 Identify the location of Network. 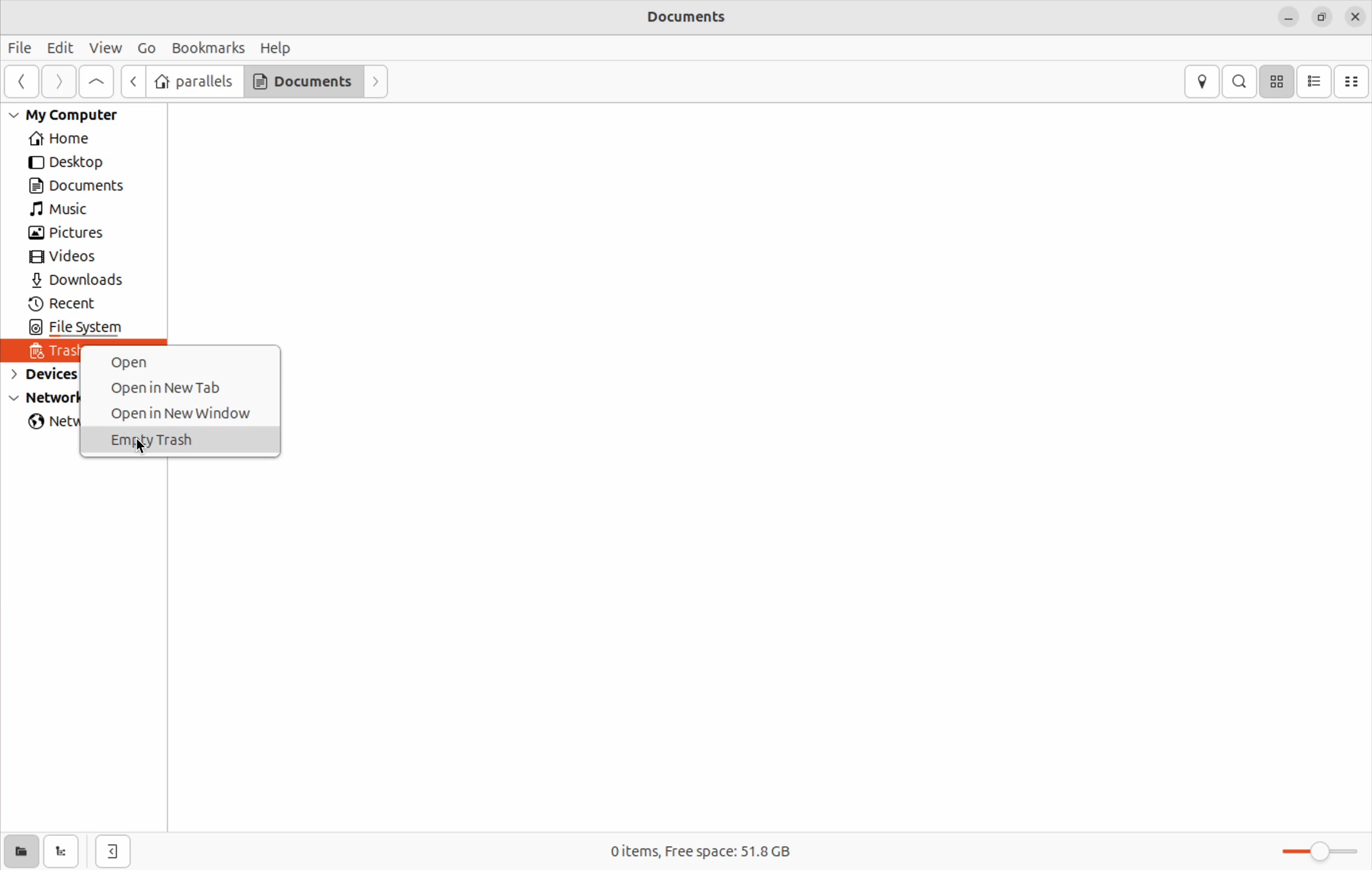
(39, 396).